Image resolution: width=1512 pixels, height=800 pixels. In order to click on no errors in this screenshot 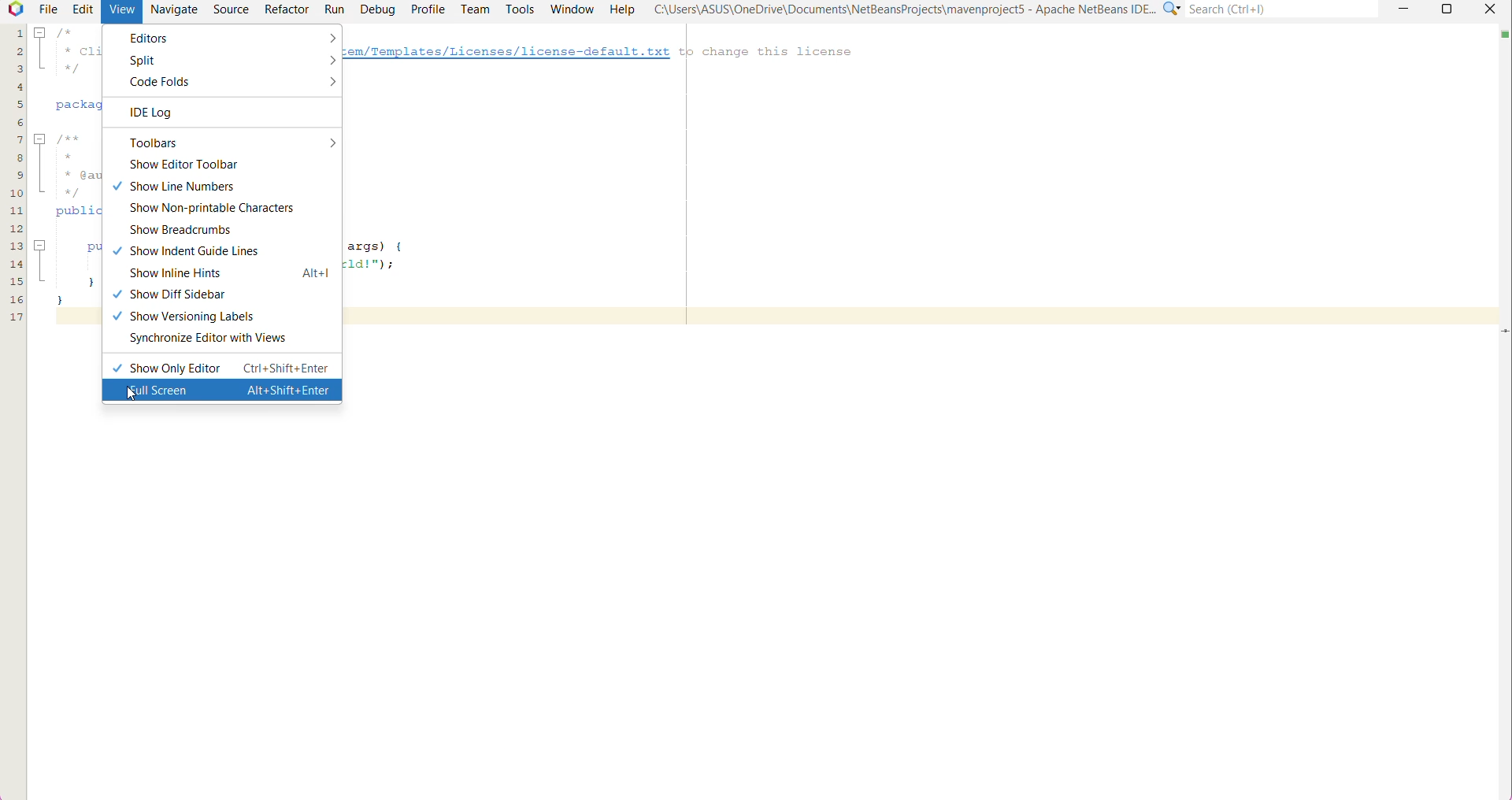, I will do `click(1503, 39)`.